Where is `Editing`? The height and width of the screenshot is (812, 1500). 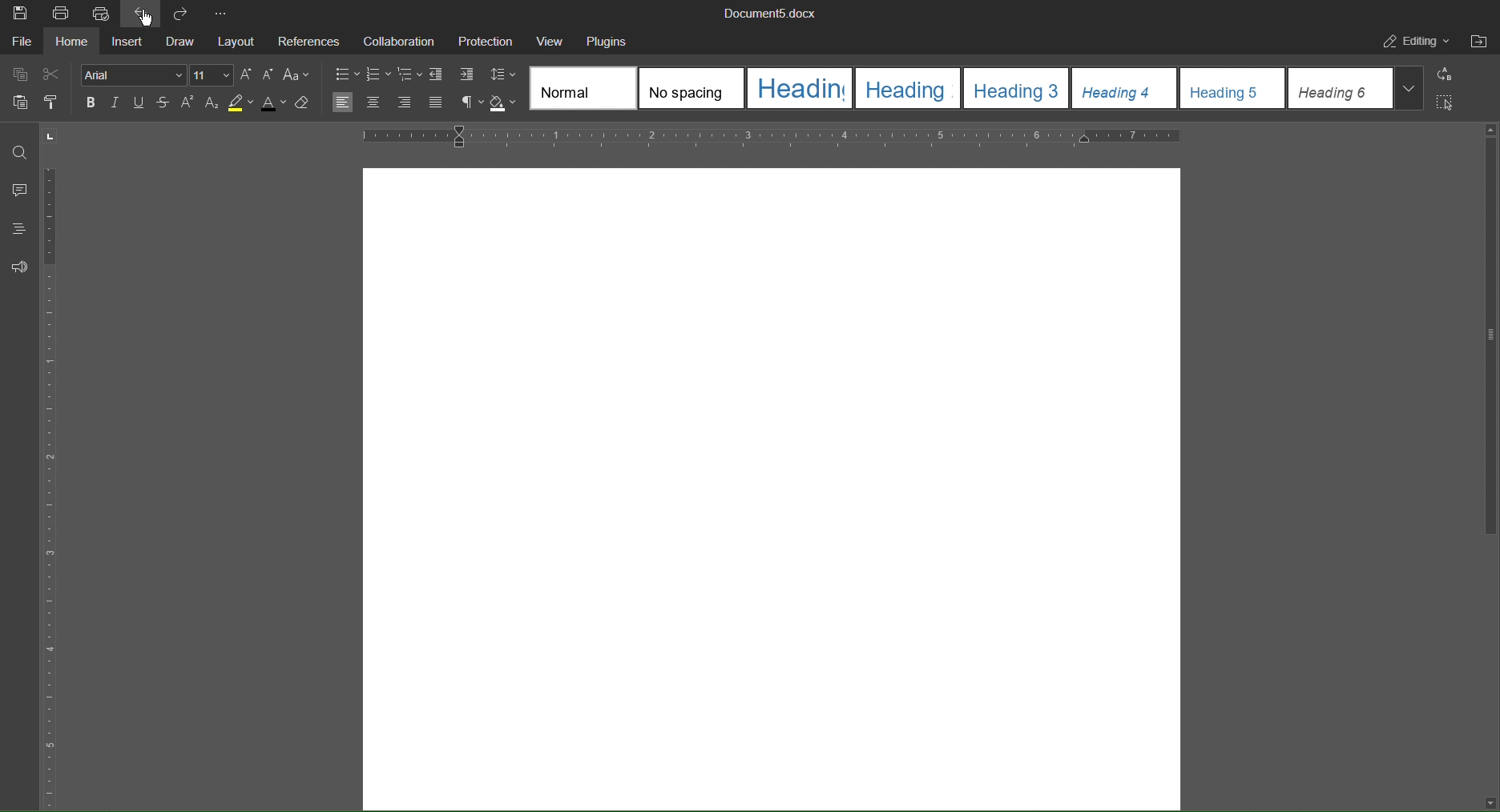 Editing is located at coordinates (1414, 42).